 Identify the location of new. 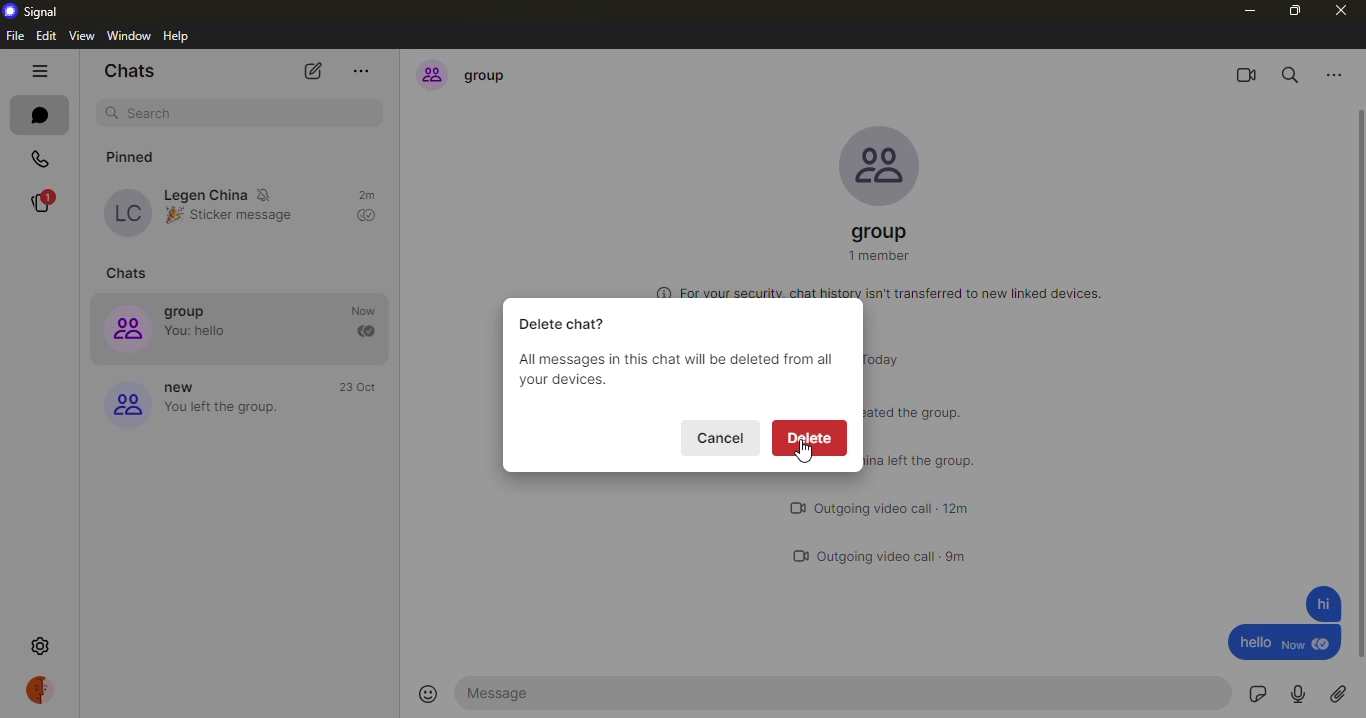
(1293, 647).